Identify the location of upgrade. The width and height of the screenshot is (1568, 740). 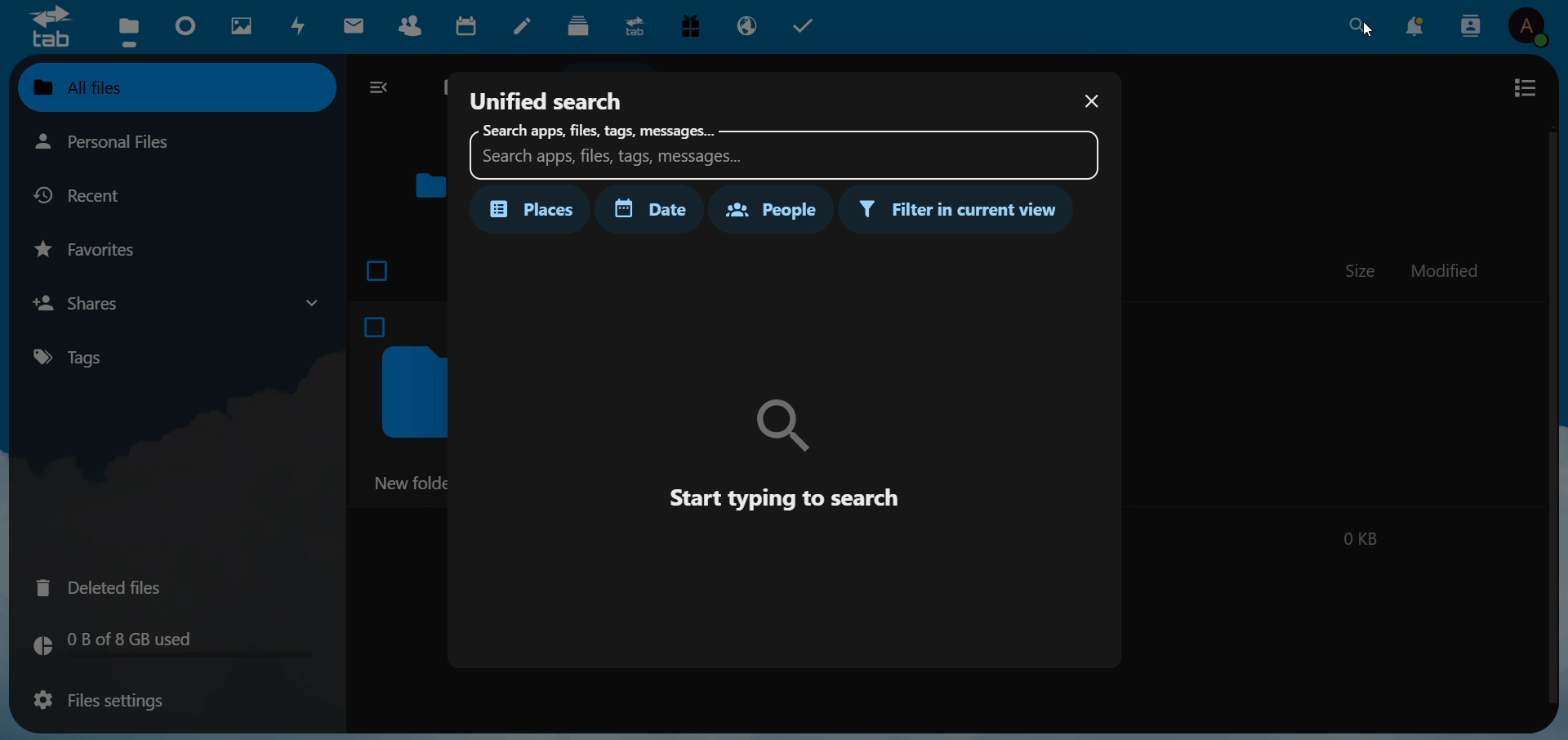
(637, 25).